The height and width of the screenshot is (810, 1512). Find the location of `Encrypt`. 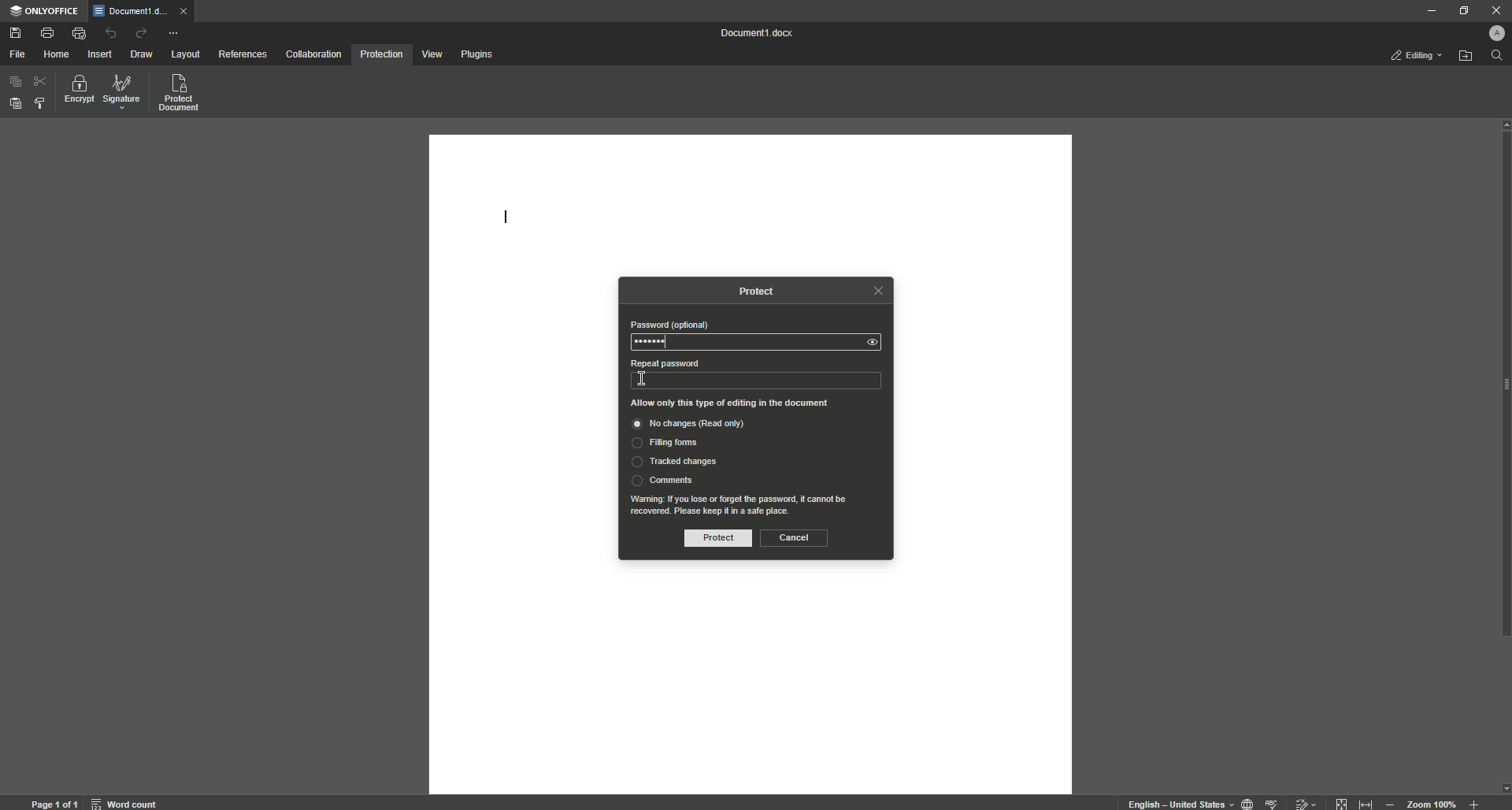

Encrypt is located at coordinates (76, 91).